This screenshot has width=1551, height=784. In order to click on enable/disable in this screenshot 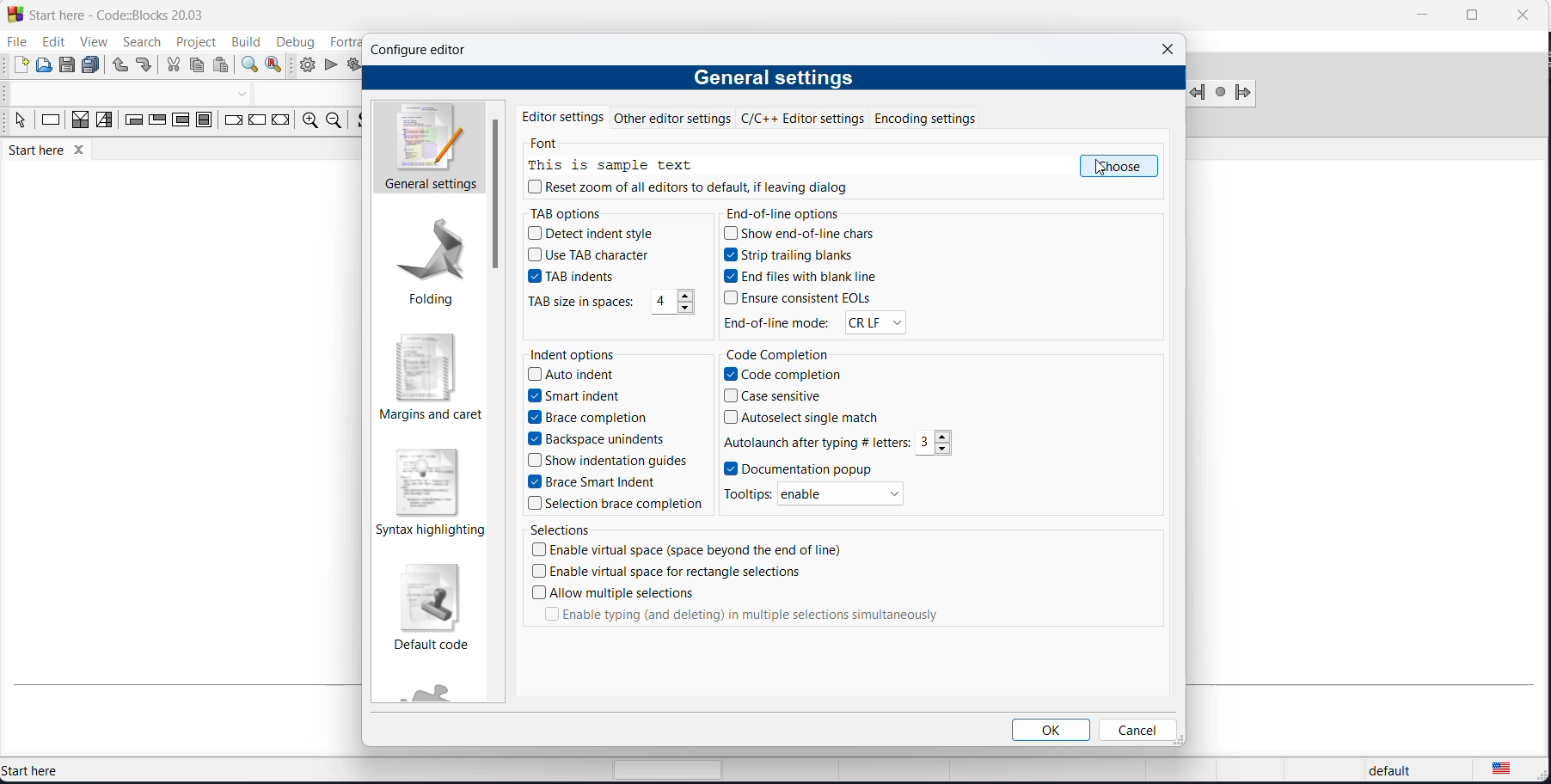, I will do `click(844, 494)`.